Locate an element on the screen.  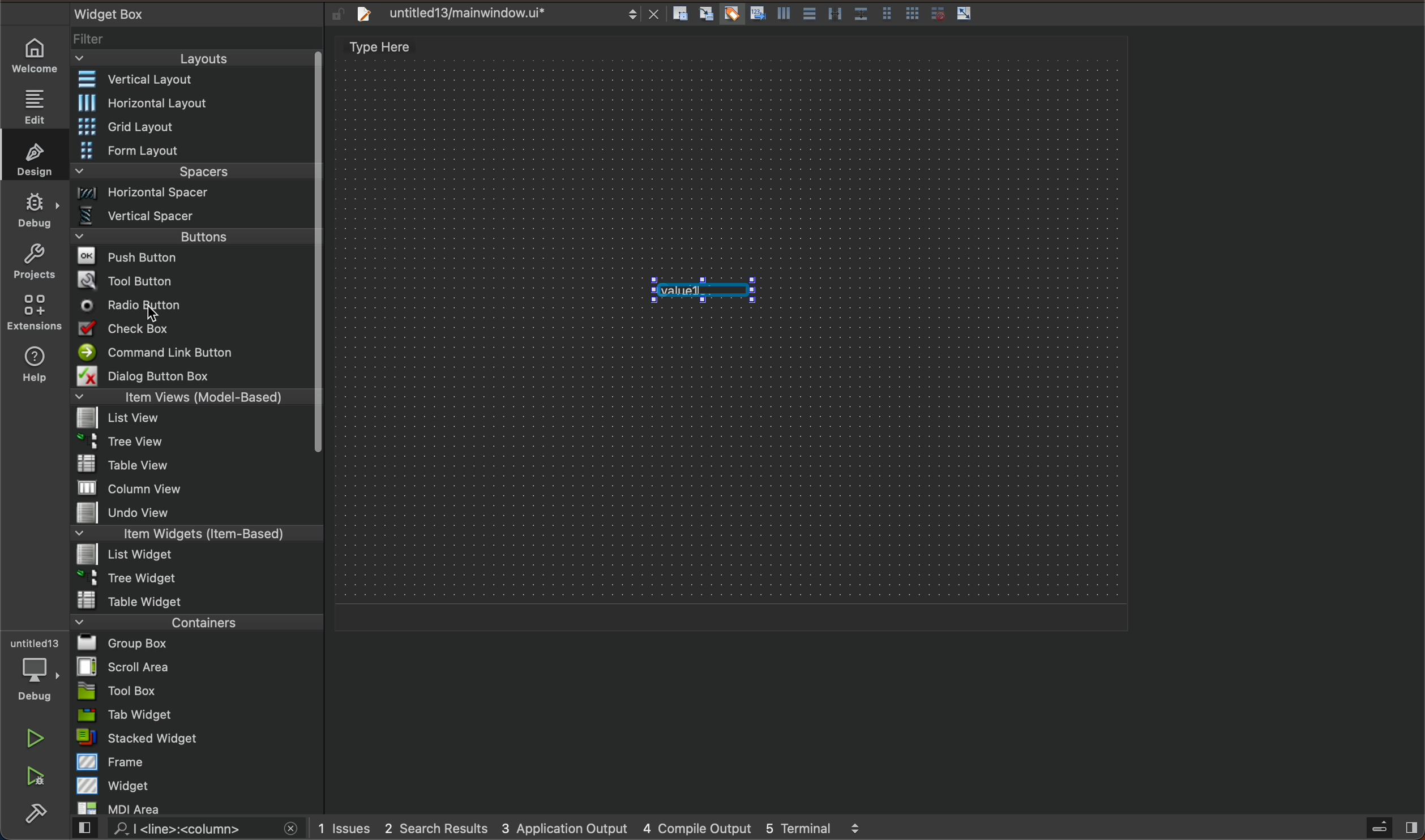
undo view is located at coordinates (197, 512).